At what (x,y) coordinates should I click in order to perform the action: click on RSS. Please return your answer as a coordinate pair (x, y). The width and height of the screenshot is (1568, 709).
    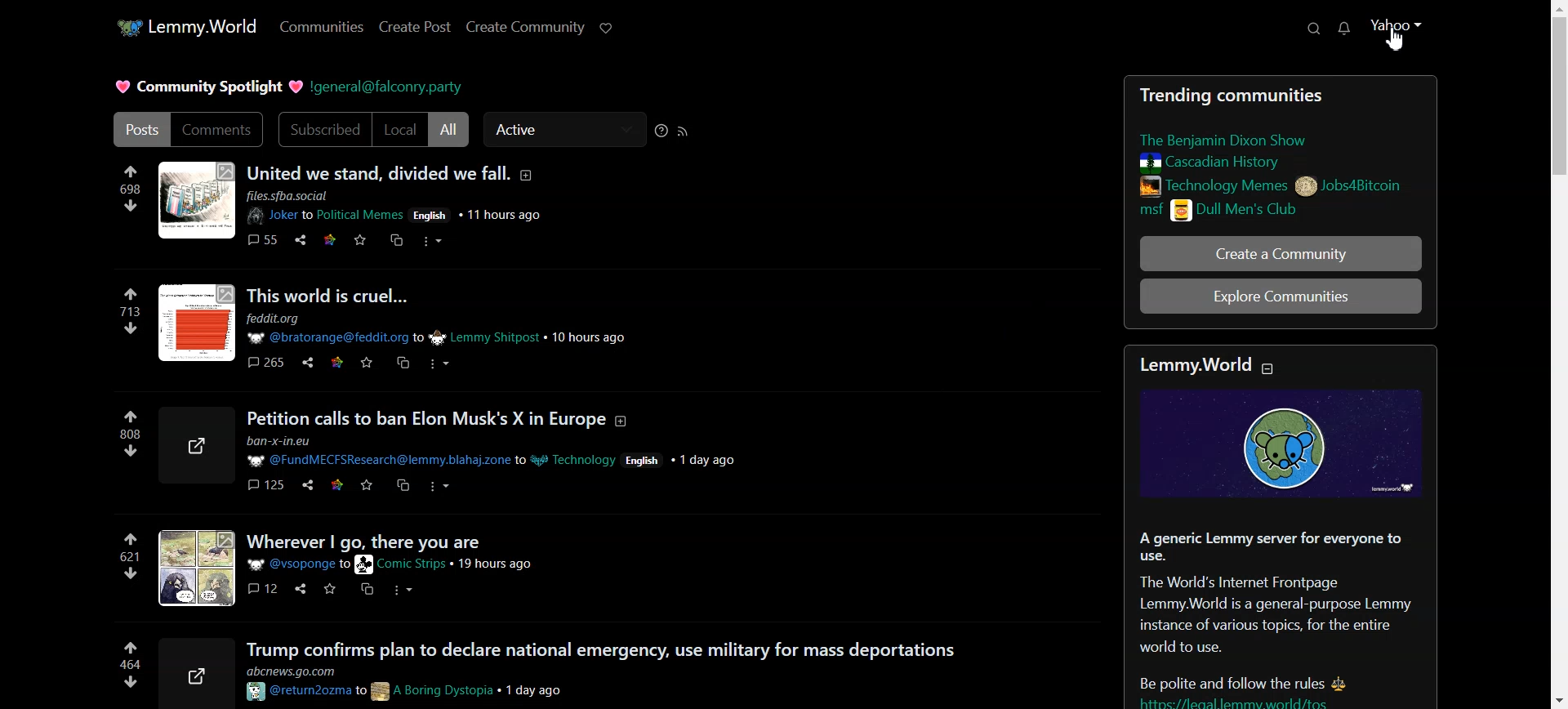
    Looking at the image, I should click on (684, 130).